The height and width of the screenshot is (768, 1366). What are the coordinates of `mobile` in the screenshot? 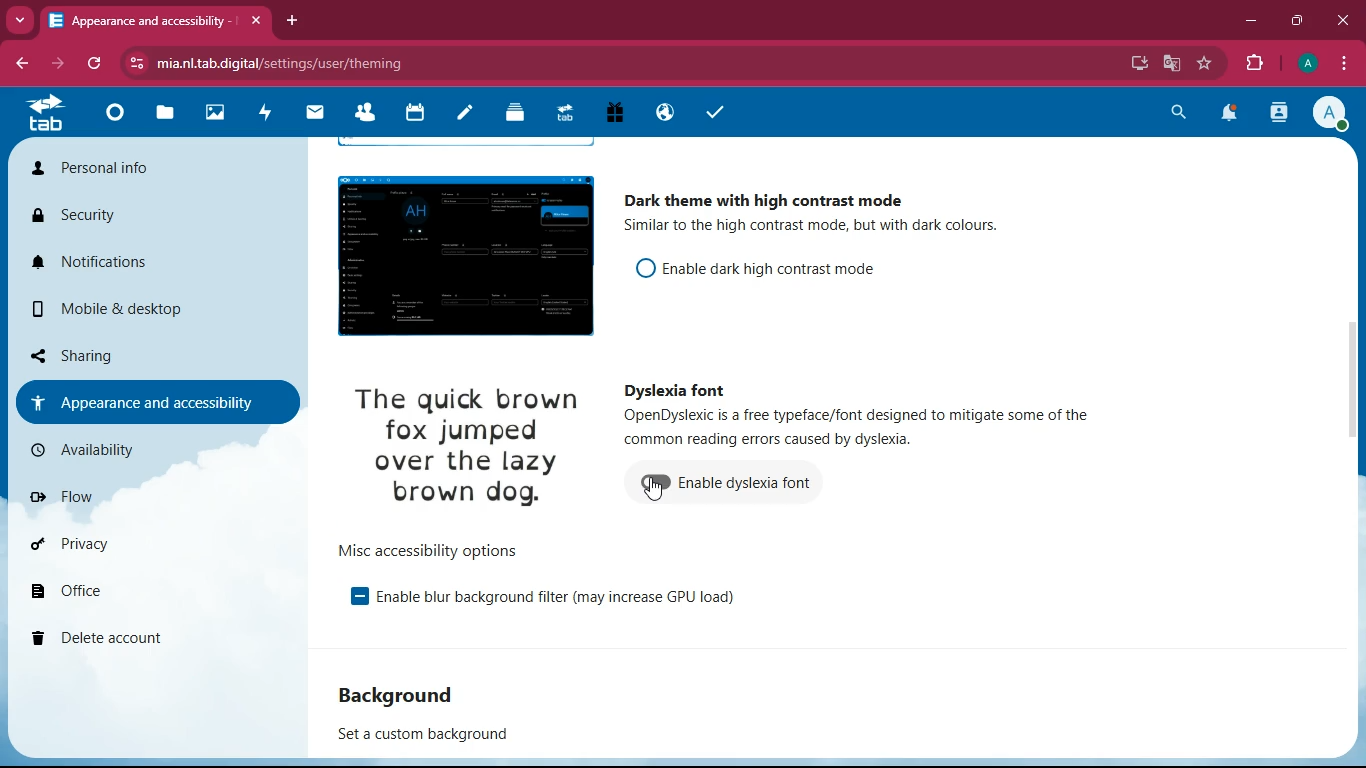 It's located at (137, 308).